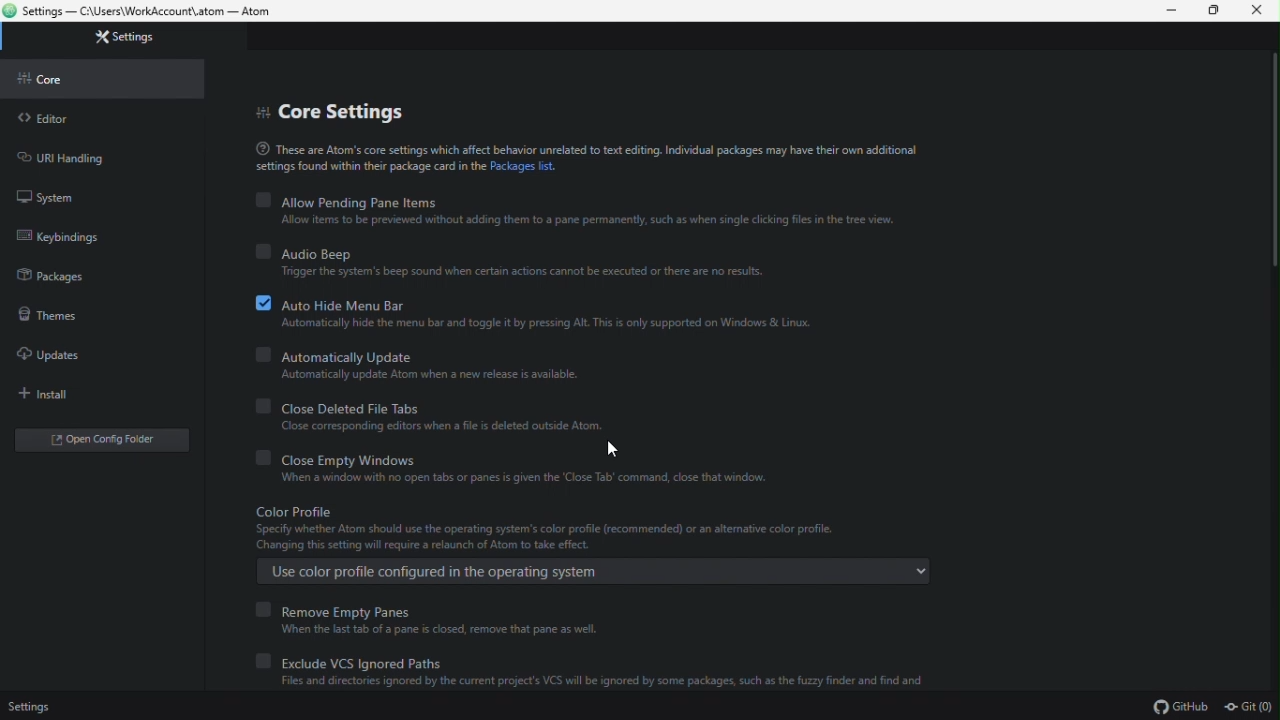 Image resolution: width=1280 pixels, height=720 pixels. Describe the element at coordinates (101, 442) in the screenshot. I see `open config editor` at that location.